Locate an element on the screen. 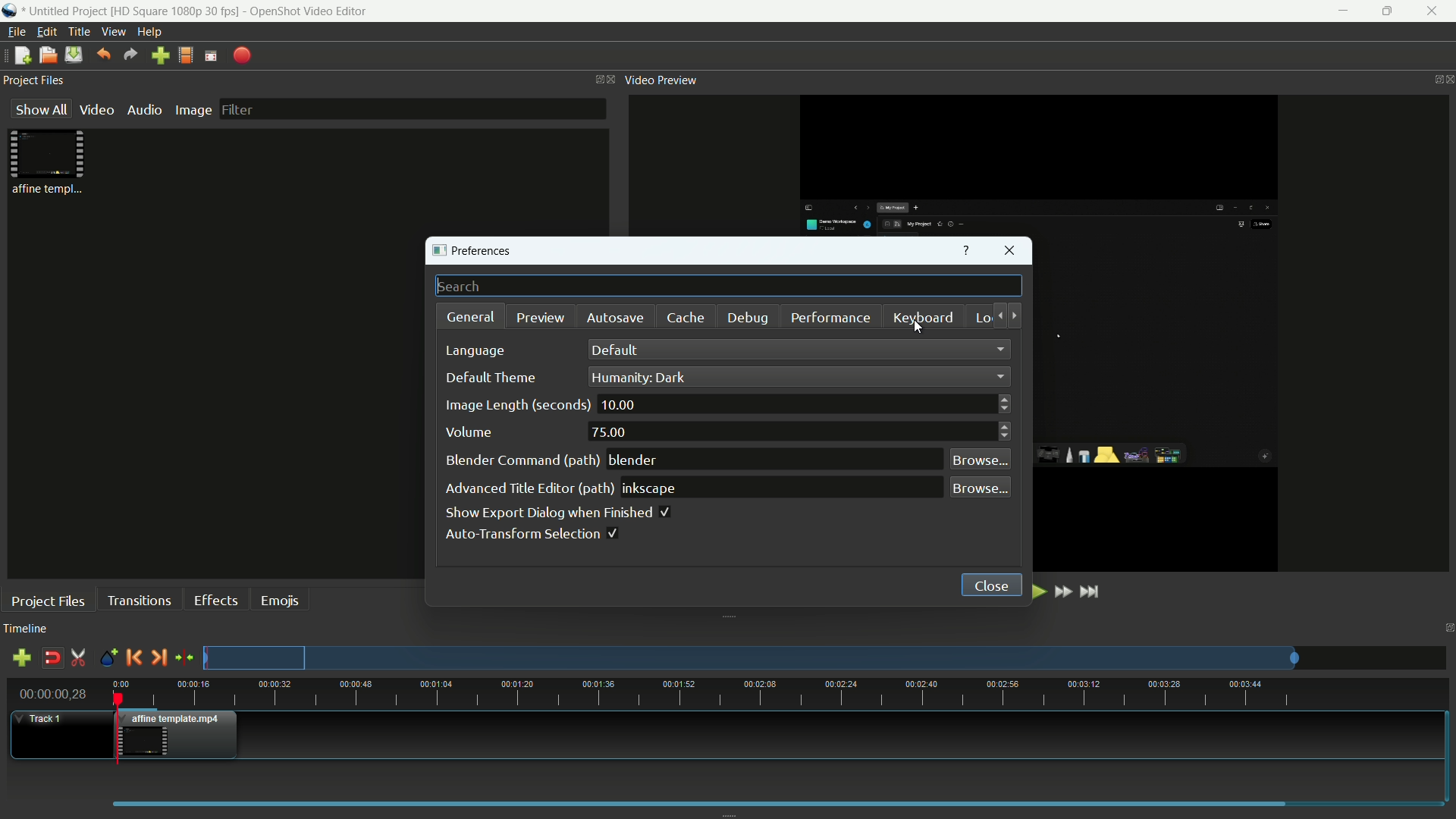 The image size is (1456, 819). preview track is located at coordinates (750, 657).